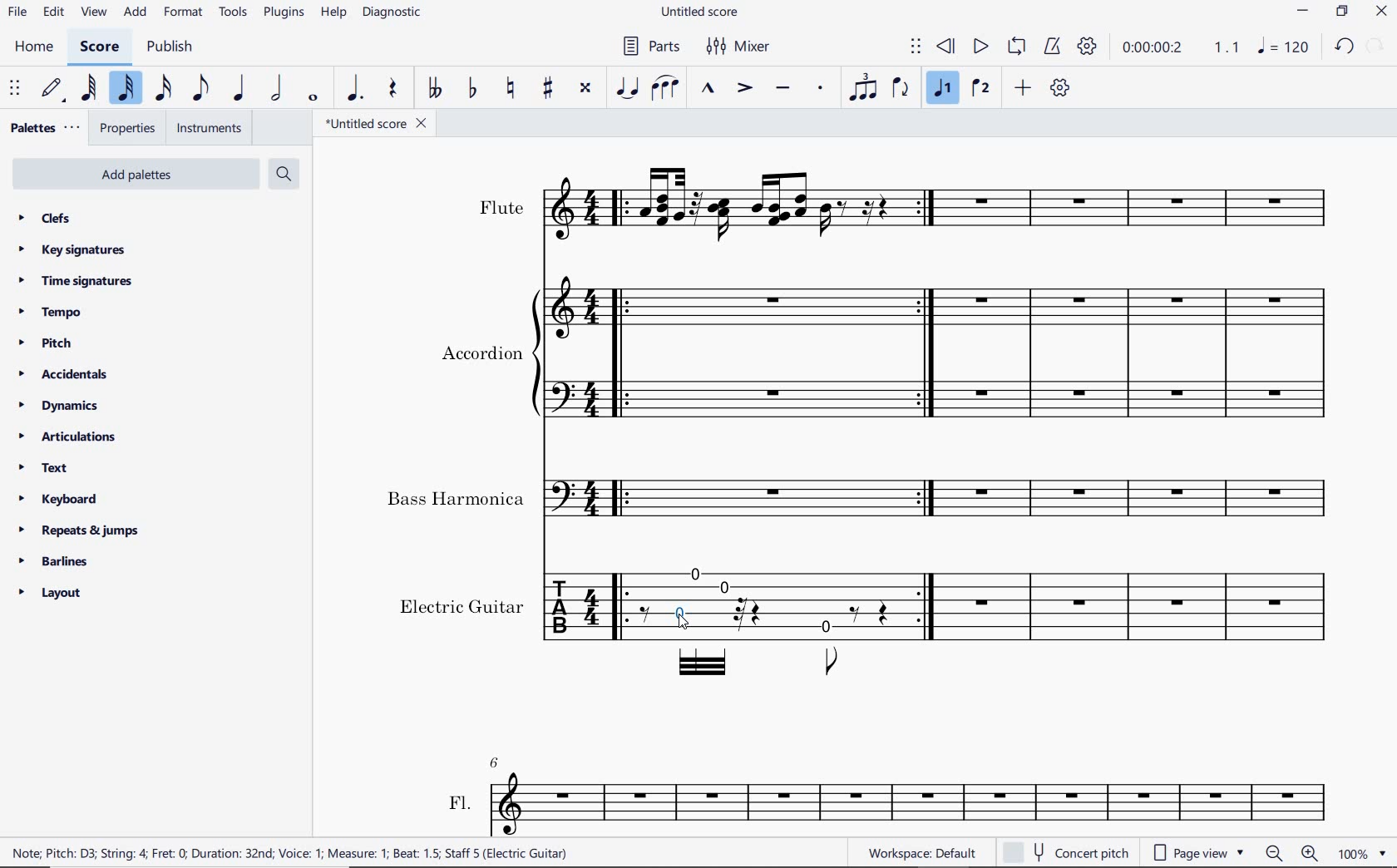  I want to click on whole note, so click(313, 96).